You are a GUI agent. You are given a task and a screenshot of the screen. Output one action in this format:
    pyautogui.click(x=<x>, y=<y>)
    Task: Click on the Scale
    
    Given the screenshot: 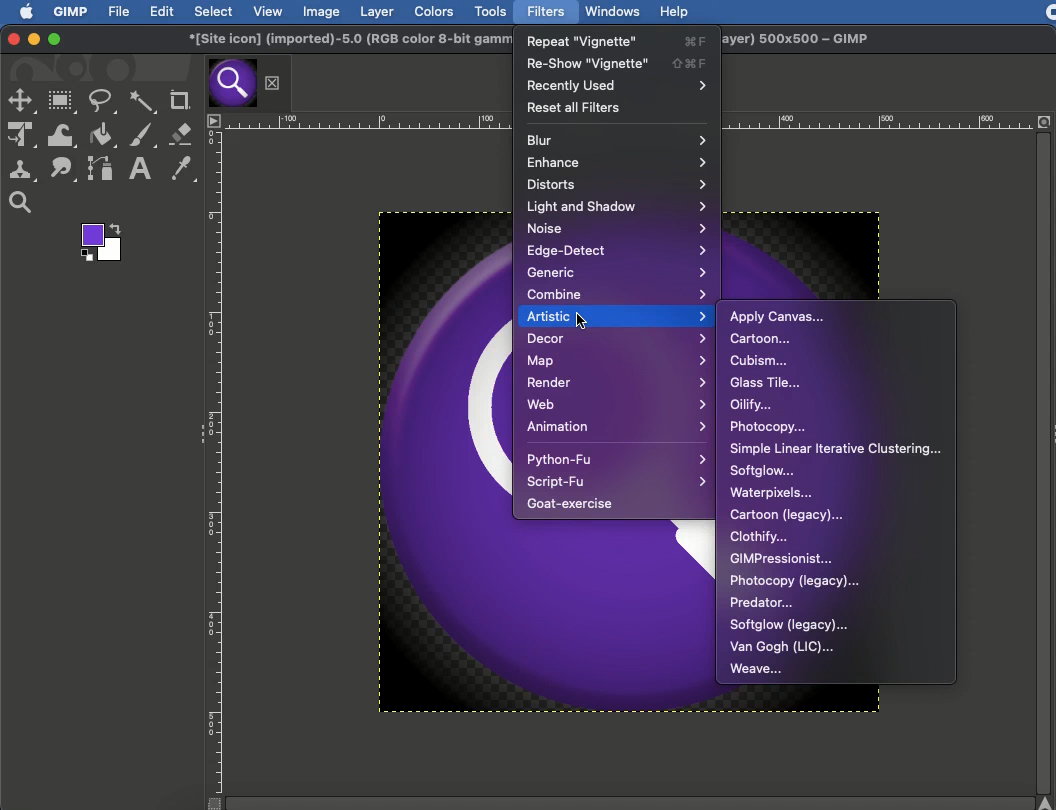 What is the action you would take?
    pyautogui.click(x=365, y=121)
    